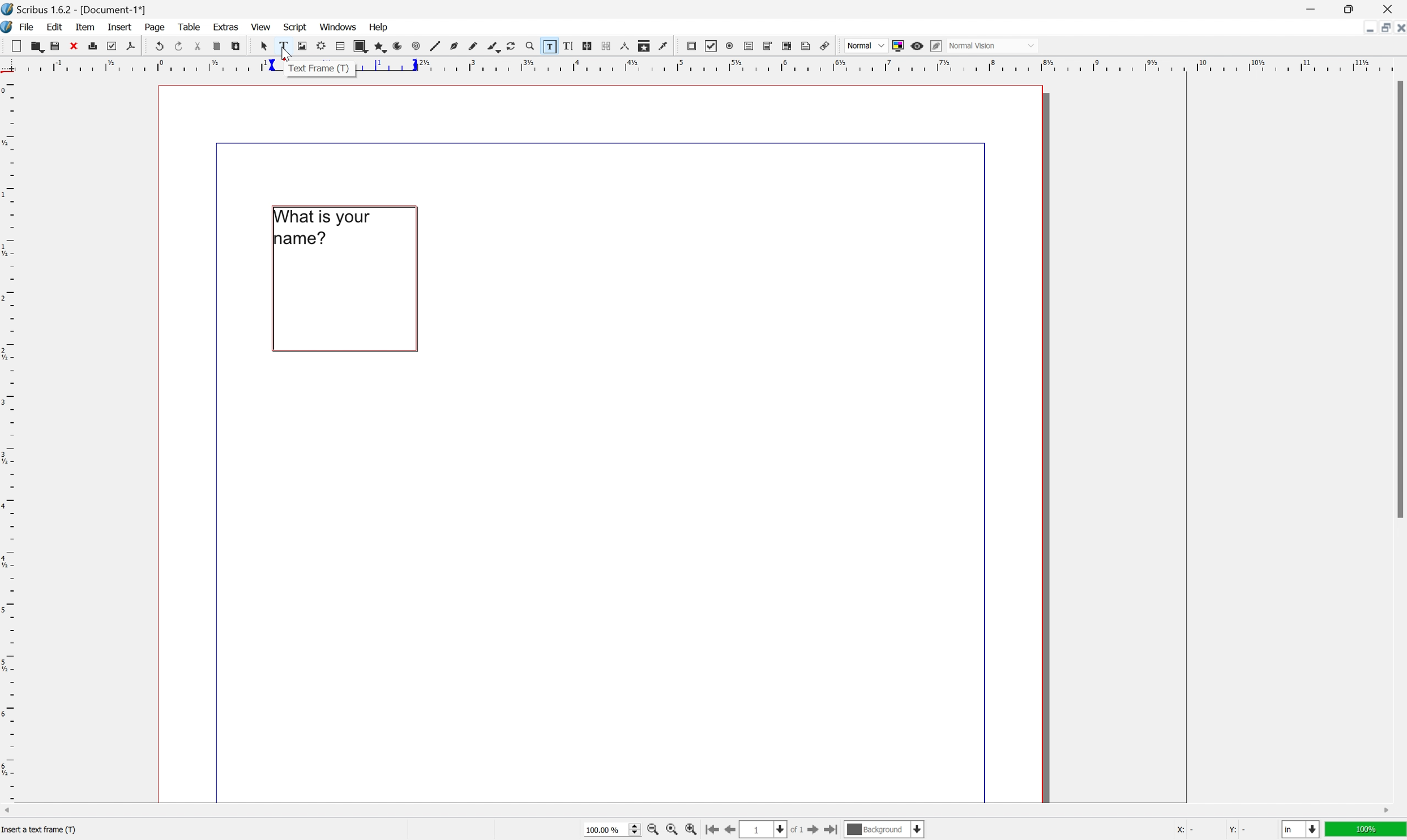  Describe the element at coordinates (993, 45) in the screenshot. I see `normal vision` at that location.